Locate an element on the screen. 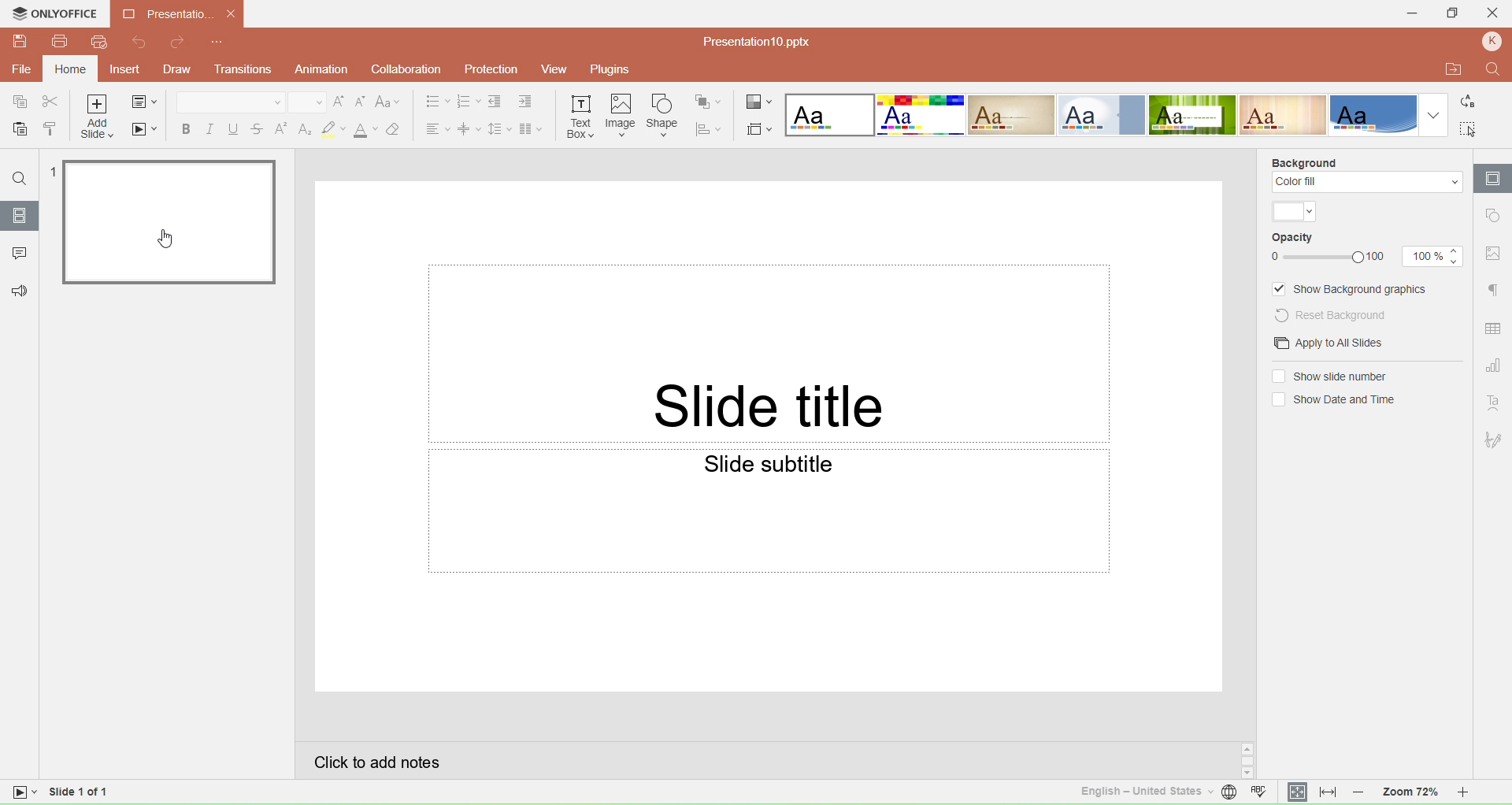 The height and width of the screenshot is (805, 1512). Office is located at coordinates (1373, 114).